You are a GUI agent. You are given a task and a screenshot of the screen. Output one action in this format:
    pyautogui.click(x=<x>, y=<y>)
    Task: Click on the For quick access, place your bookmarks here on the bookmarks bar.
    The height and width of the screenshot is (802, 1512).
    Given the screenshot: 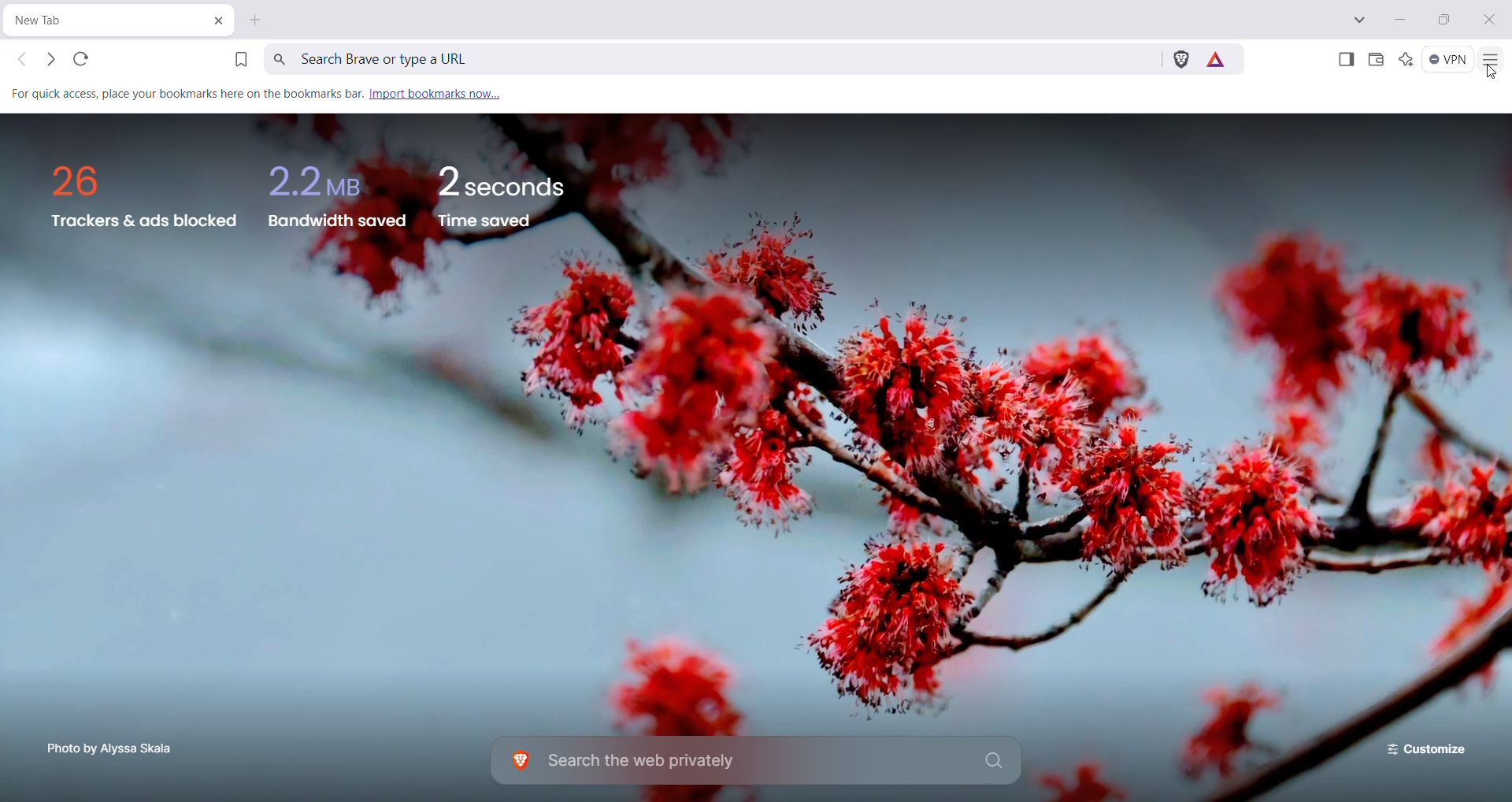 What is the action you would take?
    pyautogui.click(x=184, y=95)
    